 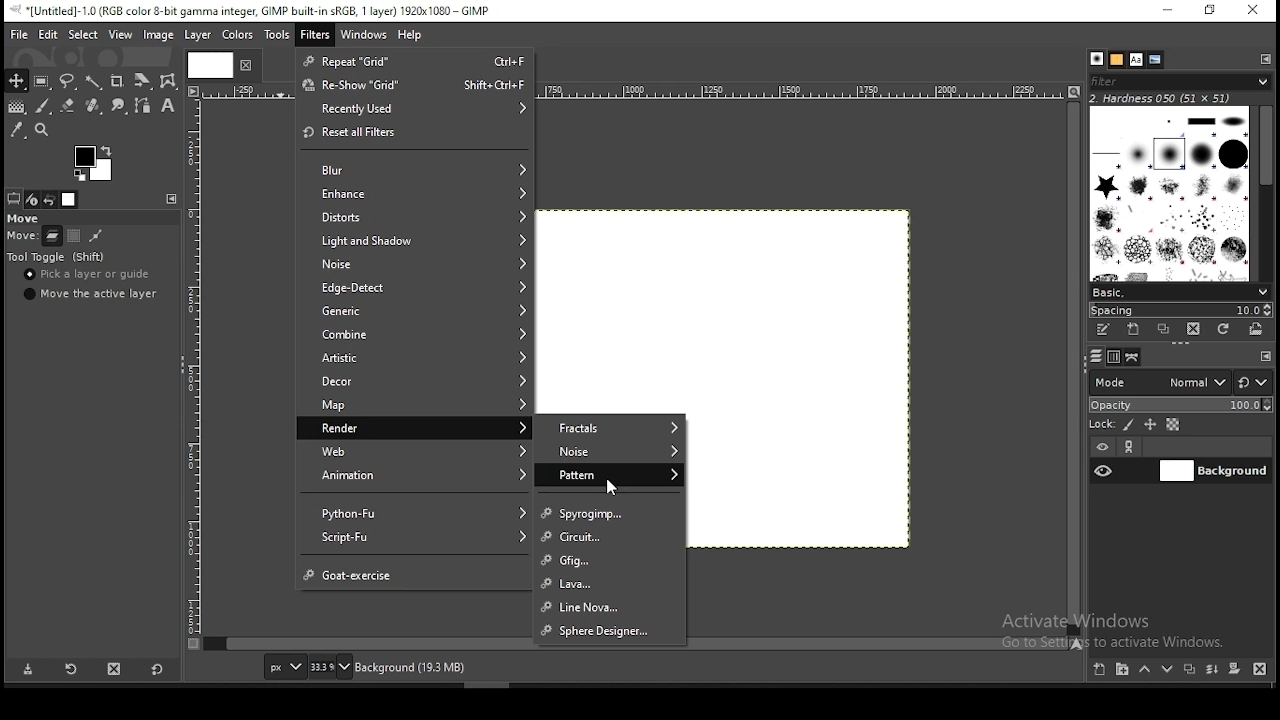 I want to click on move layer on step up, so click(x=1148, y=670).